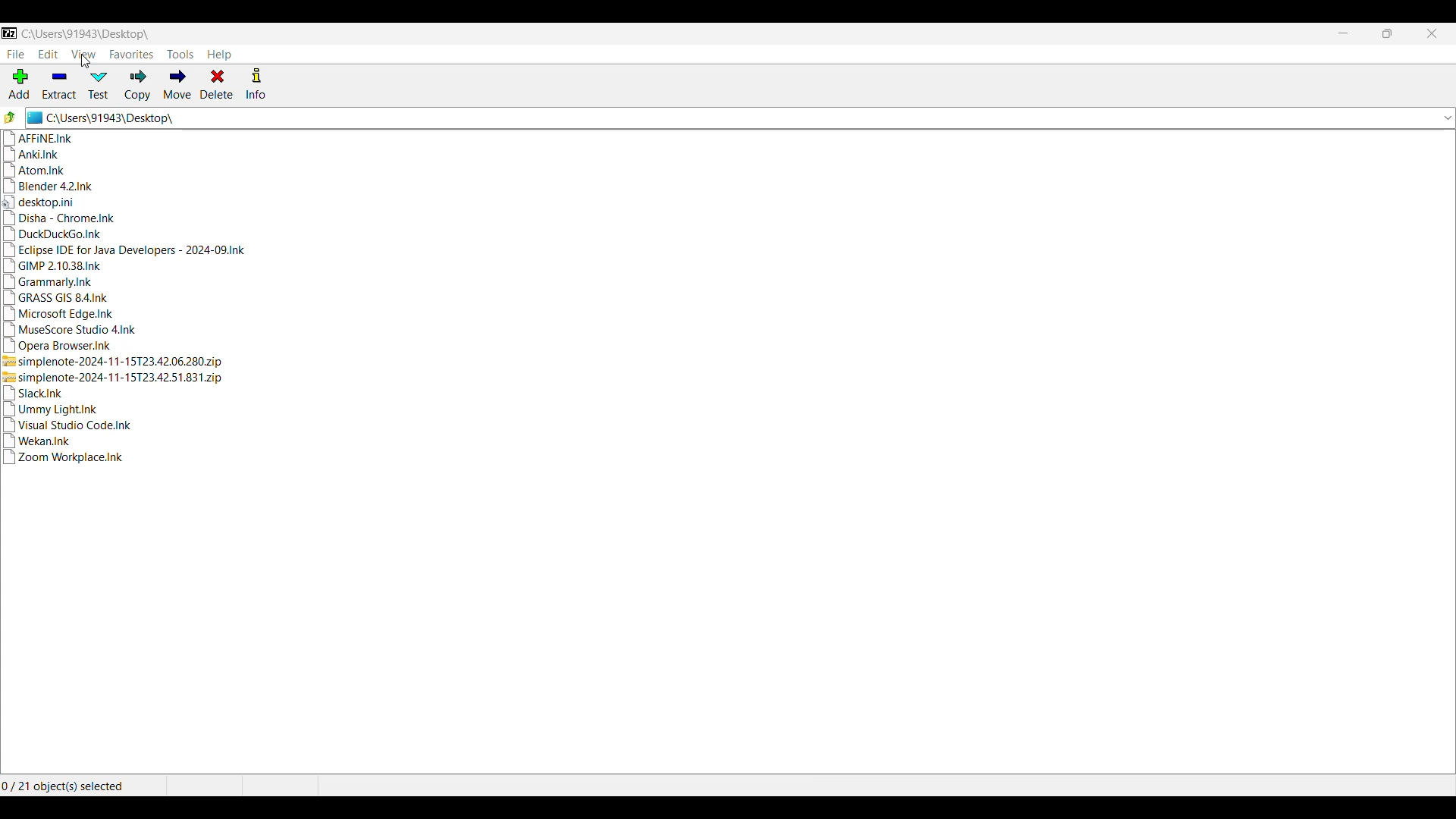 The height and width of the screenshot is (819, 1456). What do you see at coordinates (55, 408) in the screenshot?
I see `Ummy Light.Ink` at bounding box center [55, 408].